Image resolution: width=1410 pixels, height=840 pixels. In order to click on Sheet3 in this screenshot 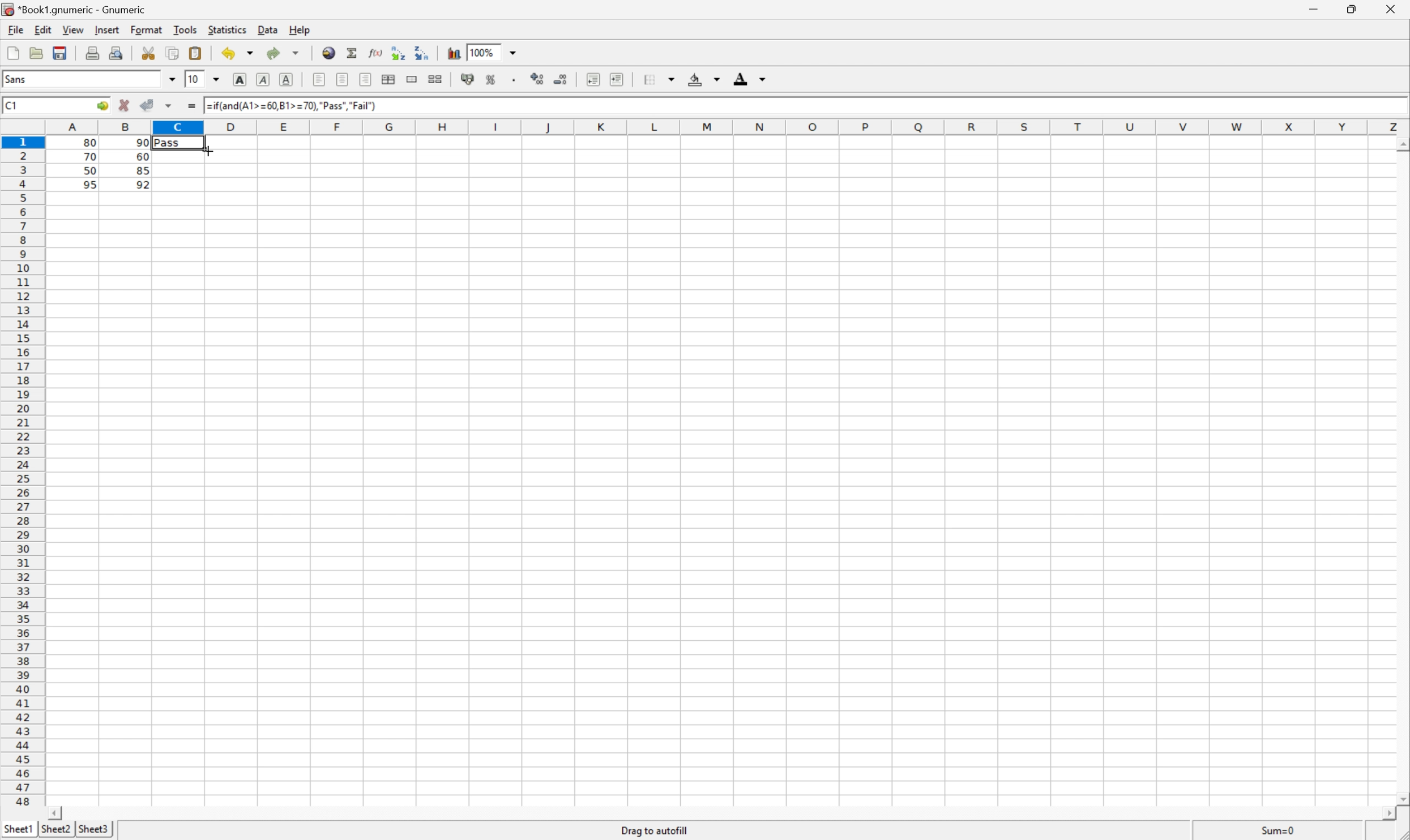, I will do `click(93, 829)`.